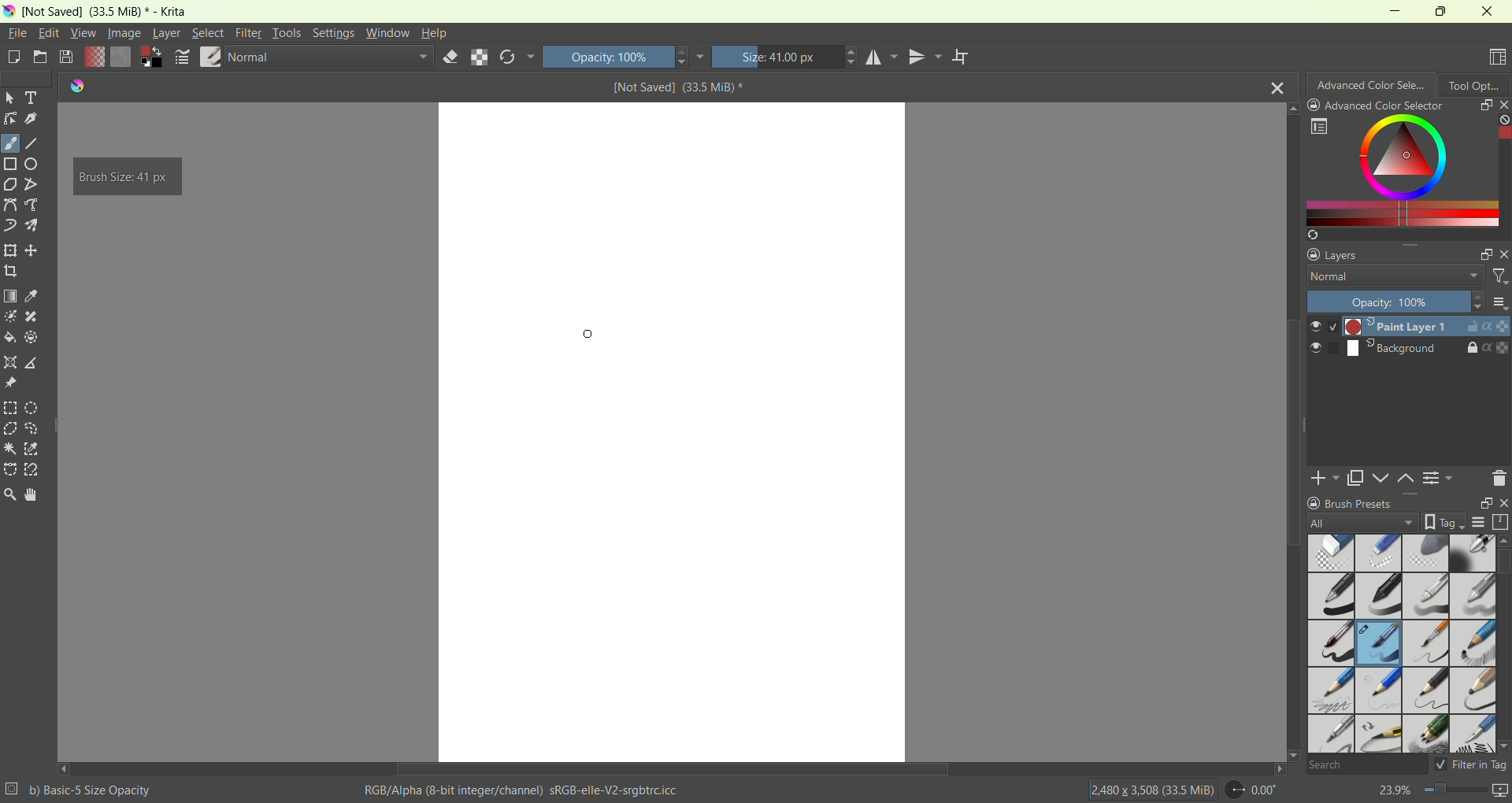  I want to click on filter, so click(1499, 279).